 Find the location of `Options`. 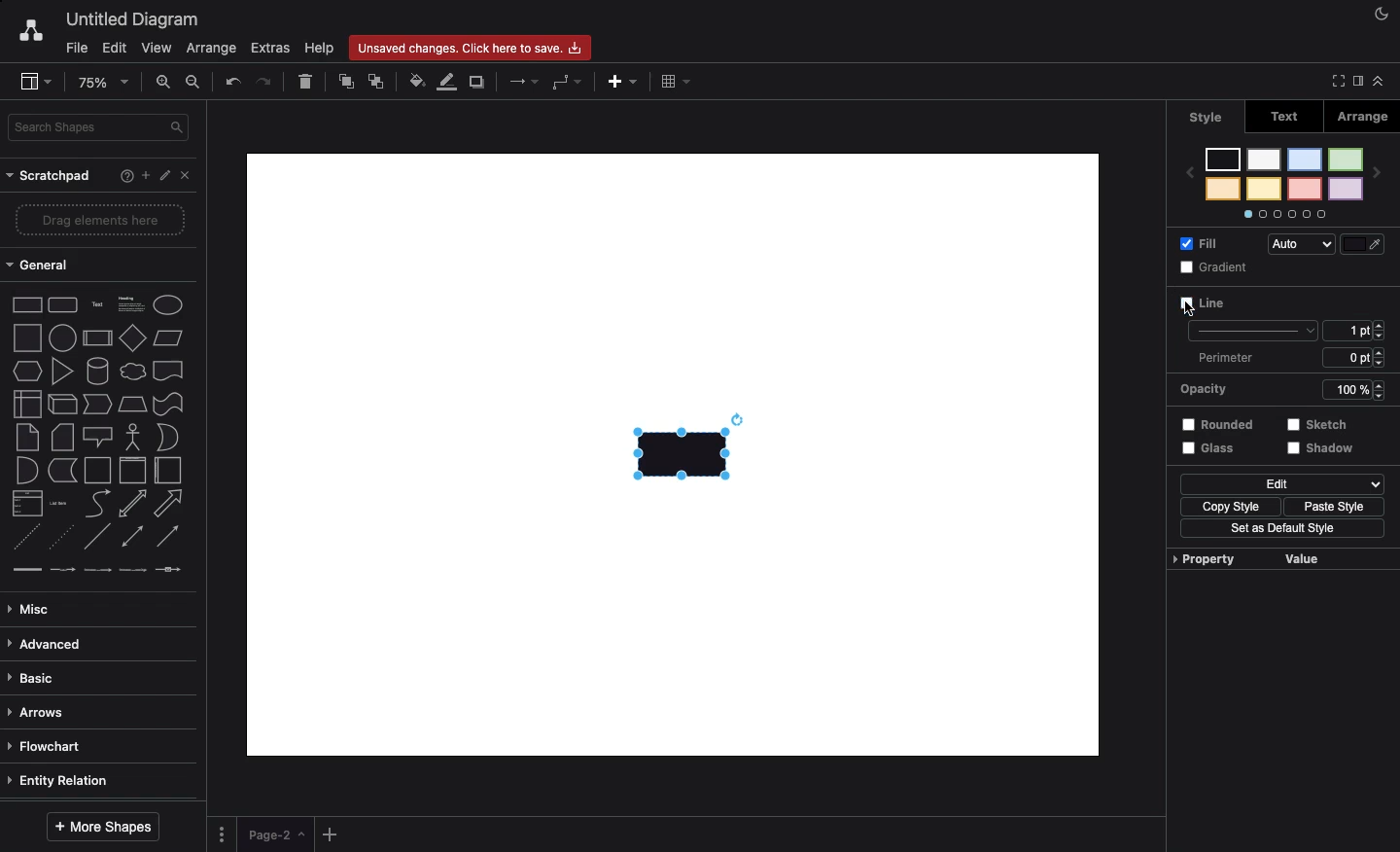

Options is located at coordinates (224, 835).